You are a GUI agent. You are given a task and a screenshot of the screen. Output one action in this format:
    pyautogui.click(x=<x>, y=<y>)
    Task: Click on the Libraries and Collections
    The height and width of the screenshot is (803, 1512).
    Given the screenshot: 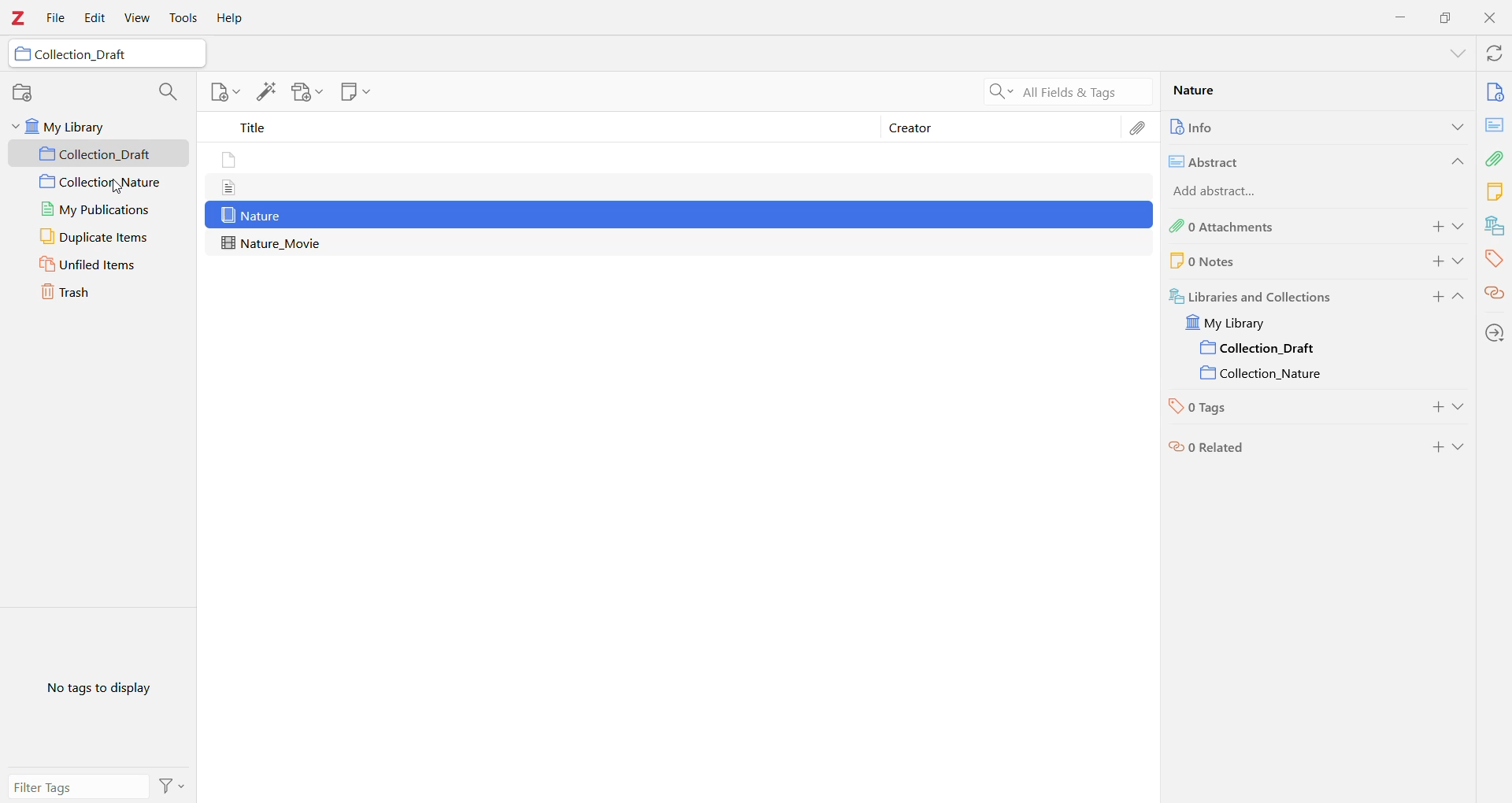 What is the action you would take?
    pyautogui.click(x=1283, y=295)
    